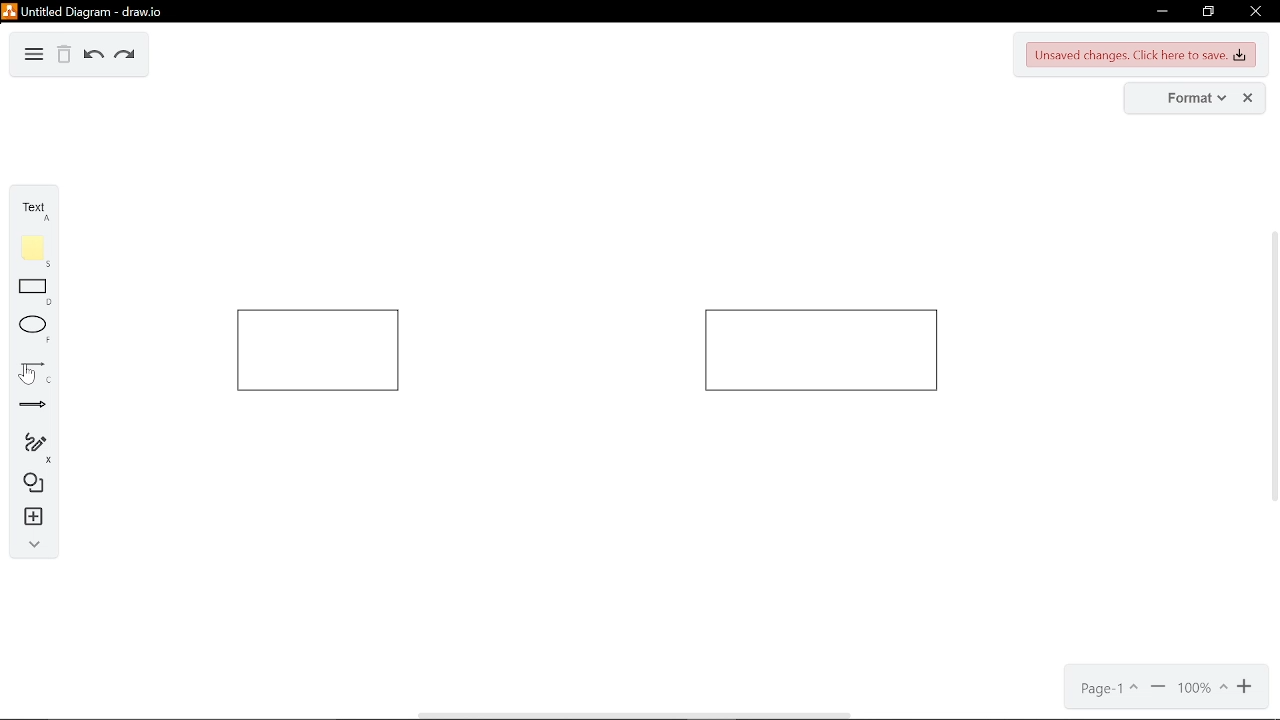  Describe the element at coordinates (1248, 98) in the screenshot. I see `close` at that location.